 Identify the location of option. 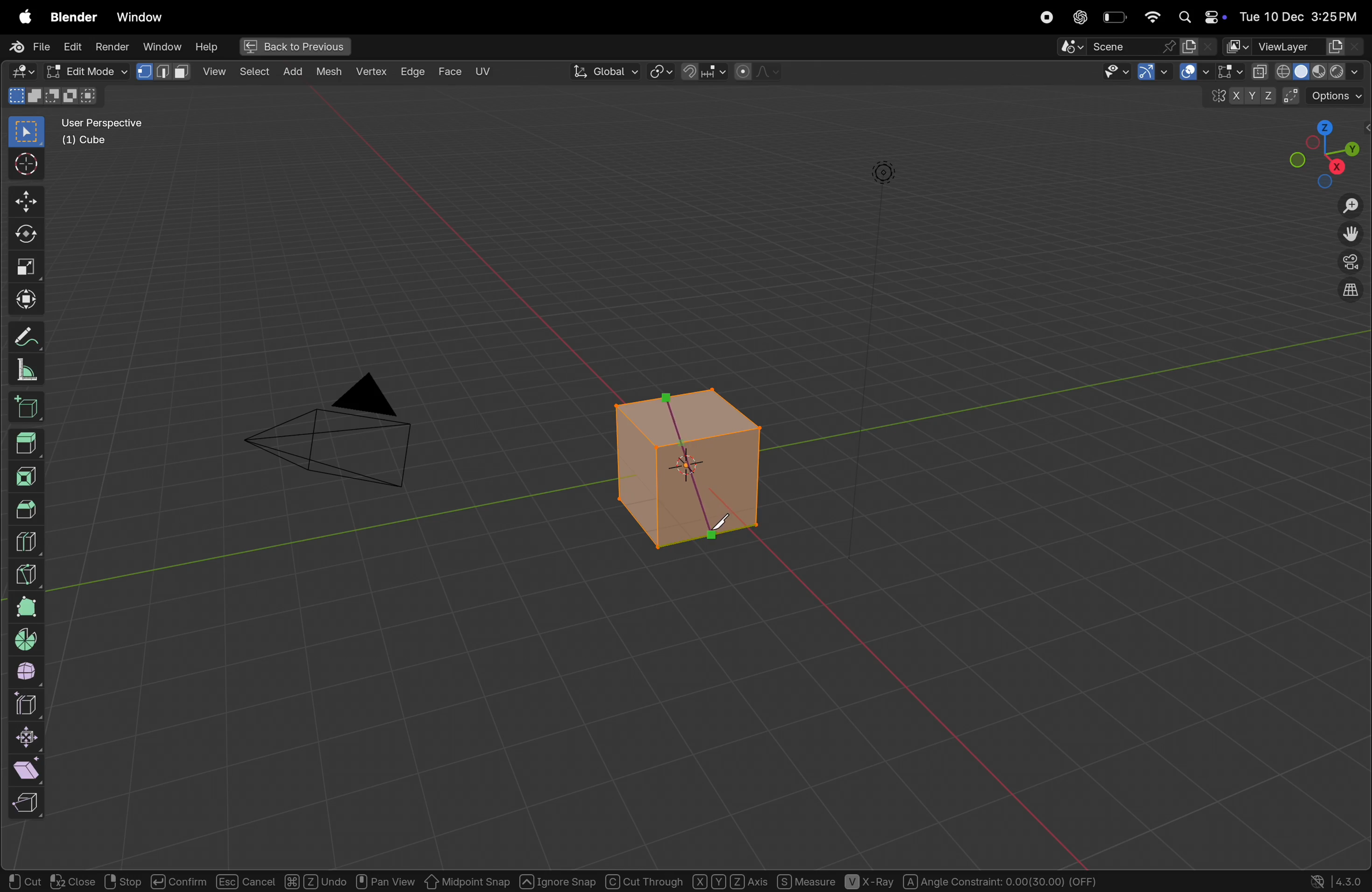
(1328, 95).